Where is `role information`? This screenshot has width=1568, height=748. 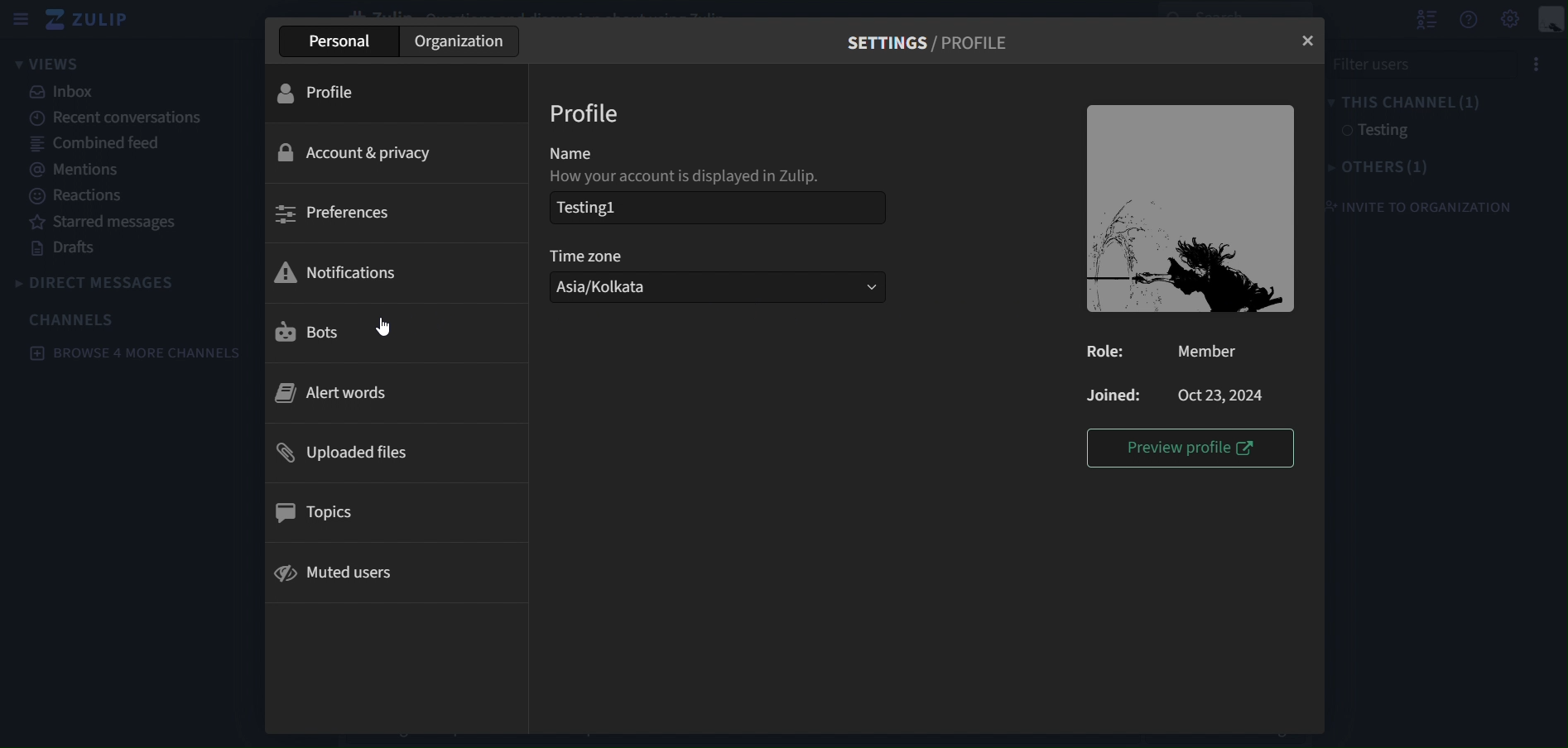
role information is located at coordinates (1179, 375).